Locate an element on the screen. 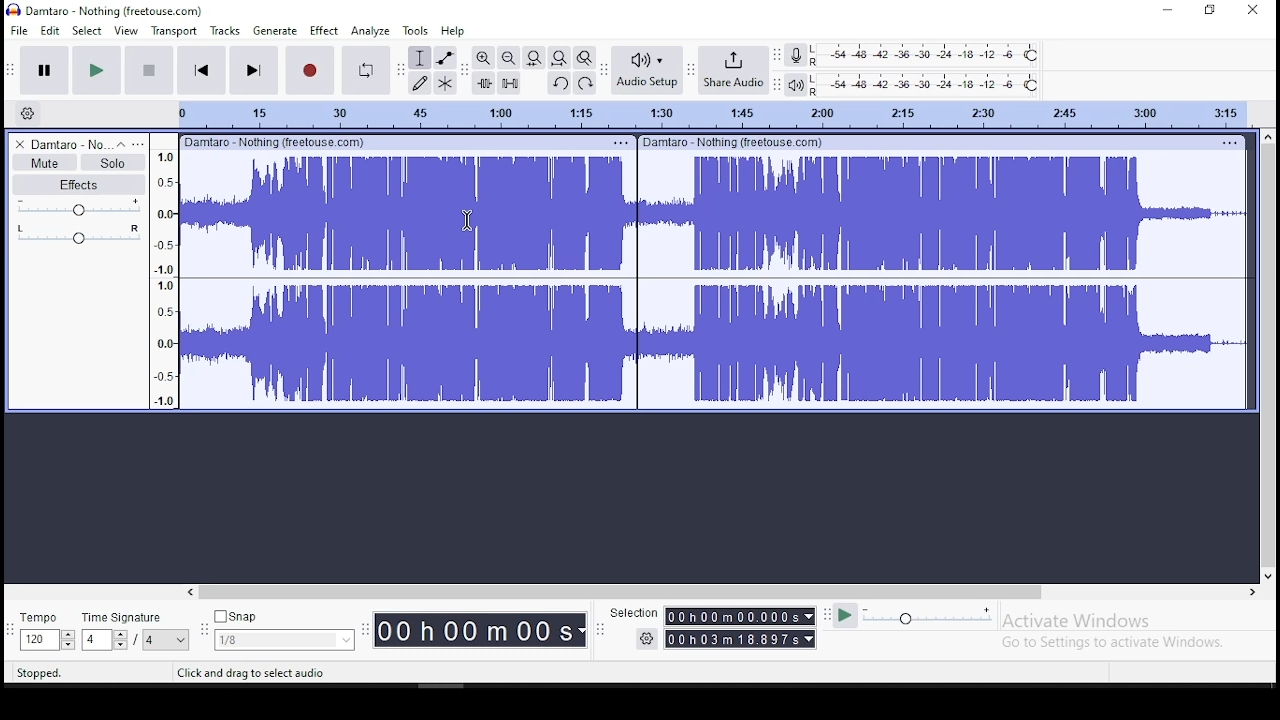 This screenshot has height=720, width=1280. envelope tool is located at coordinates (445, 58).